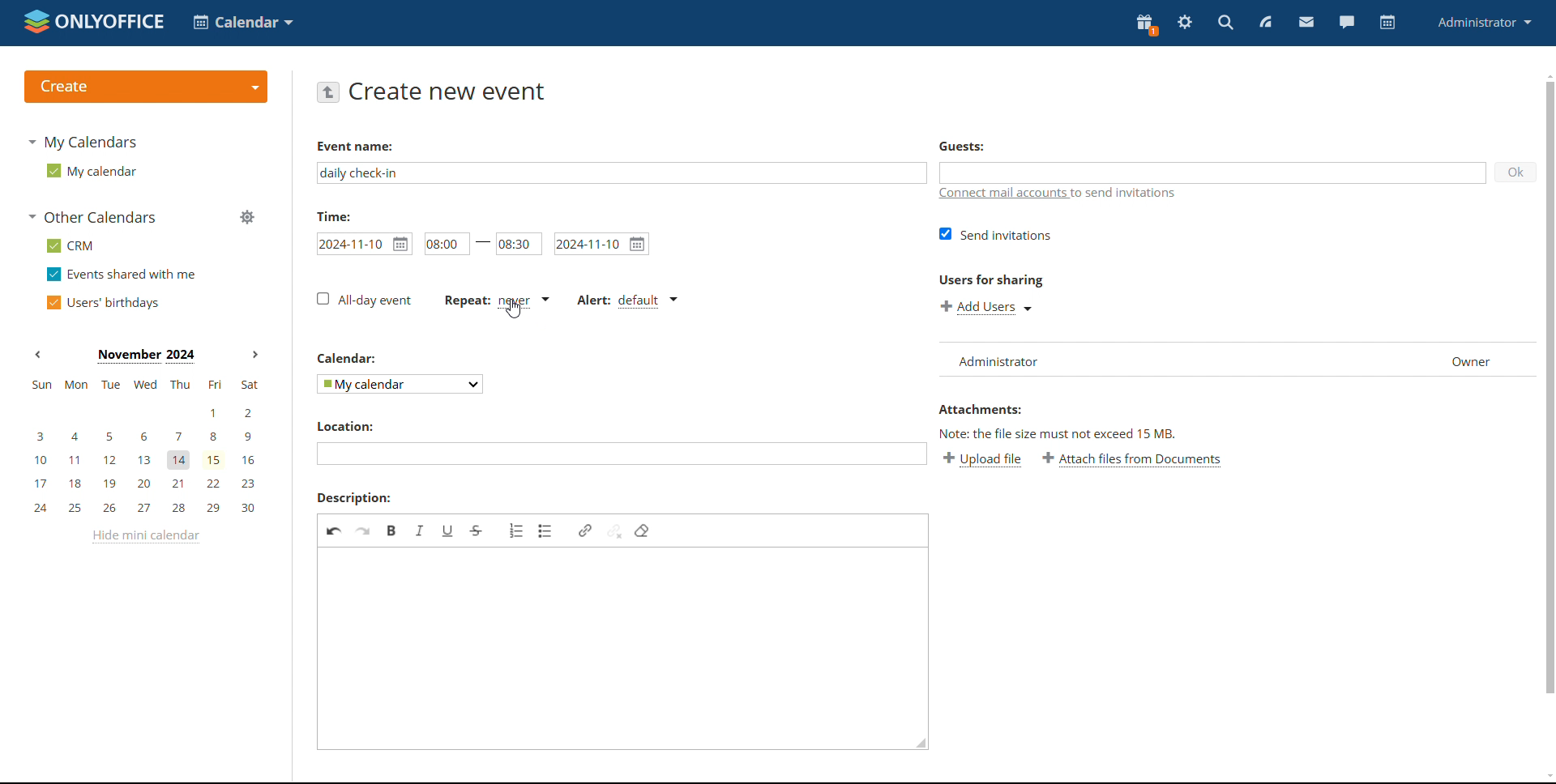 This screenshot has width=1556, height=784. Describe the element at coordinates (445, 244) in the screenshot. I see `event start time` at that location.